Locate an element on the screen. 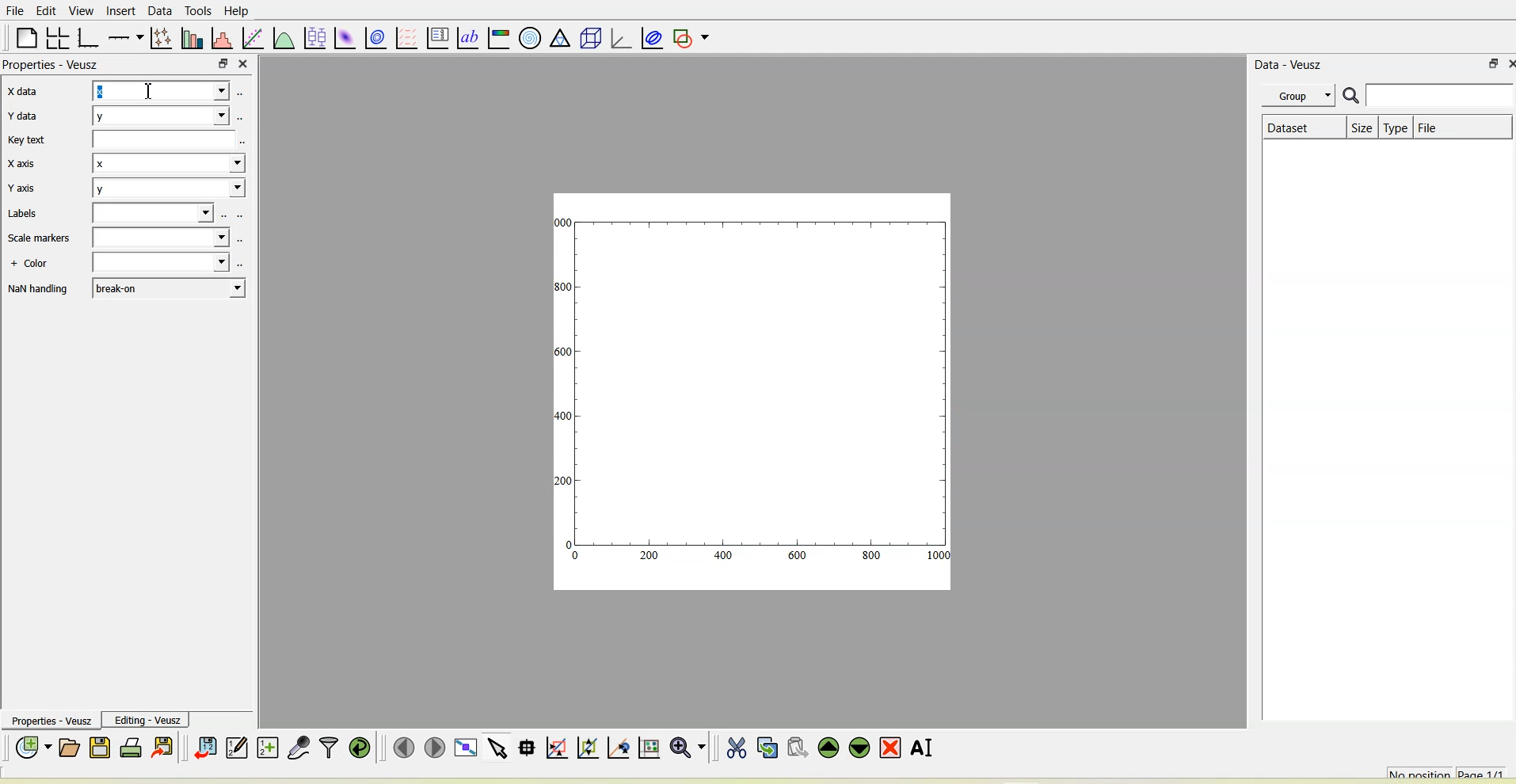 The height and width of the screenshot is (784, 1516). plot key is located at coordinates (436, 36).